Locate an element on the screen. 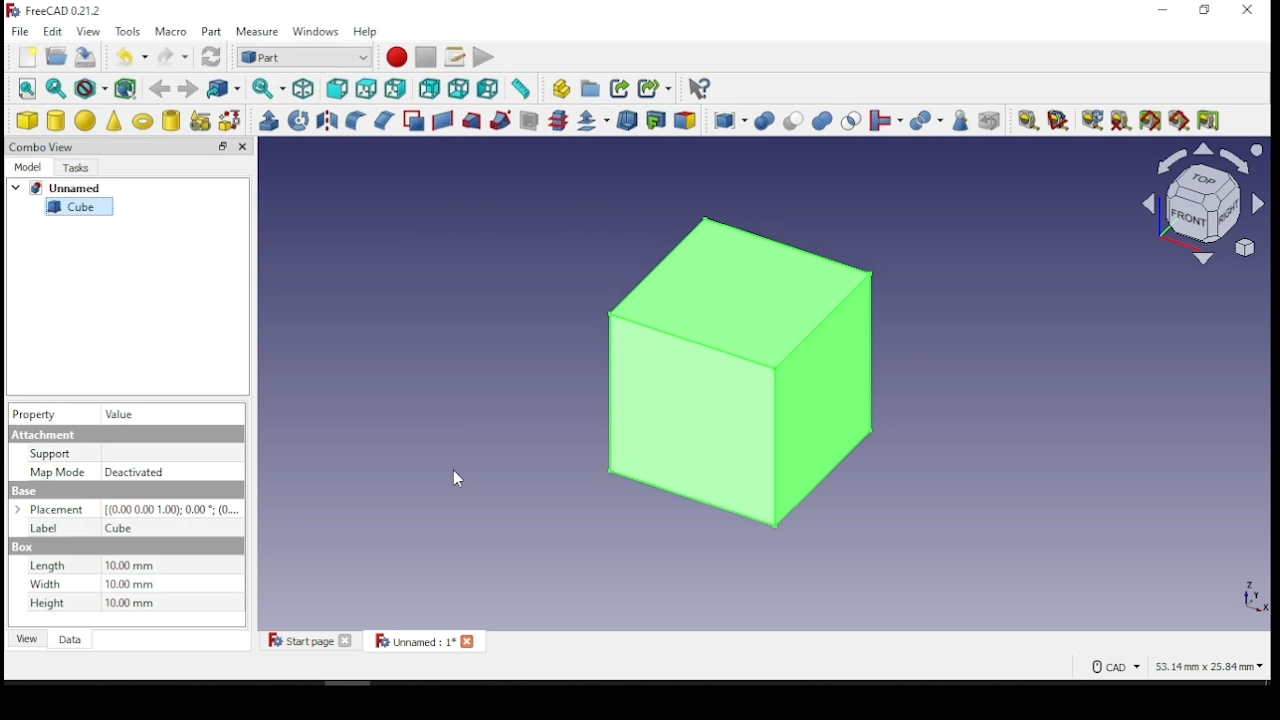  toggle all is located at coordinates (1150, 121).